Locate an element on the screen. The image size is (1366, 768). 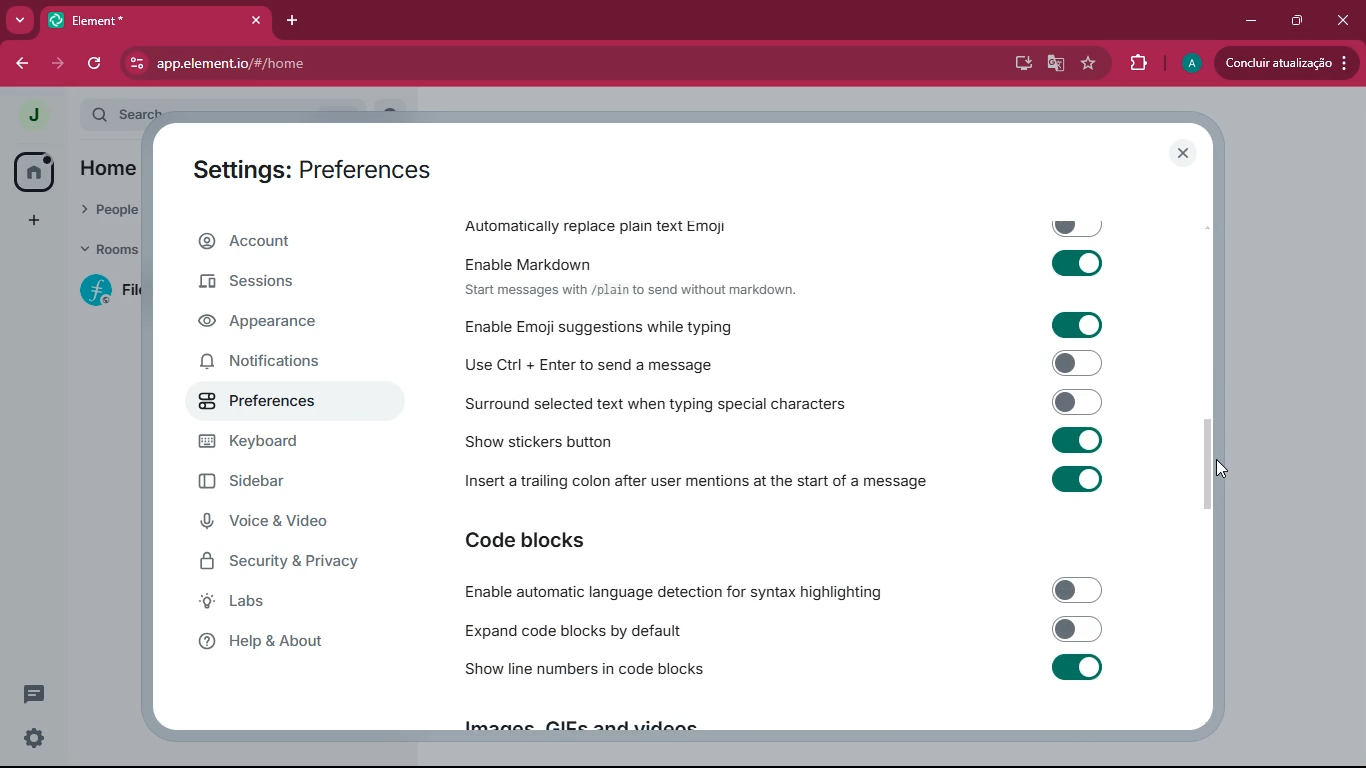
element is located at coordinates (155, 18).